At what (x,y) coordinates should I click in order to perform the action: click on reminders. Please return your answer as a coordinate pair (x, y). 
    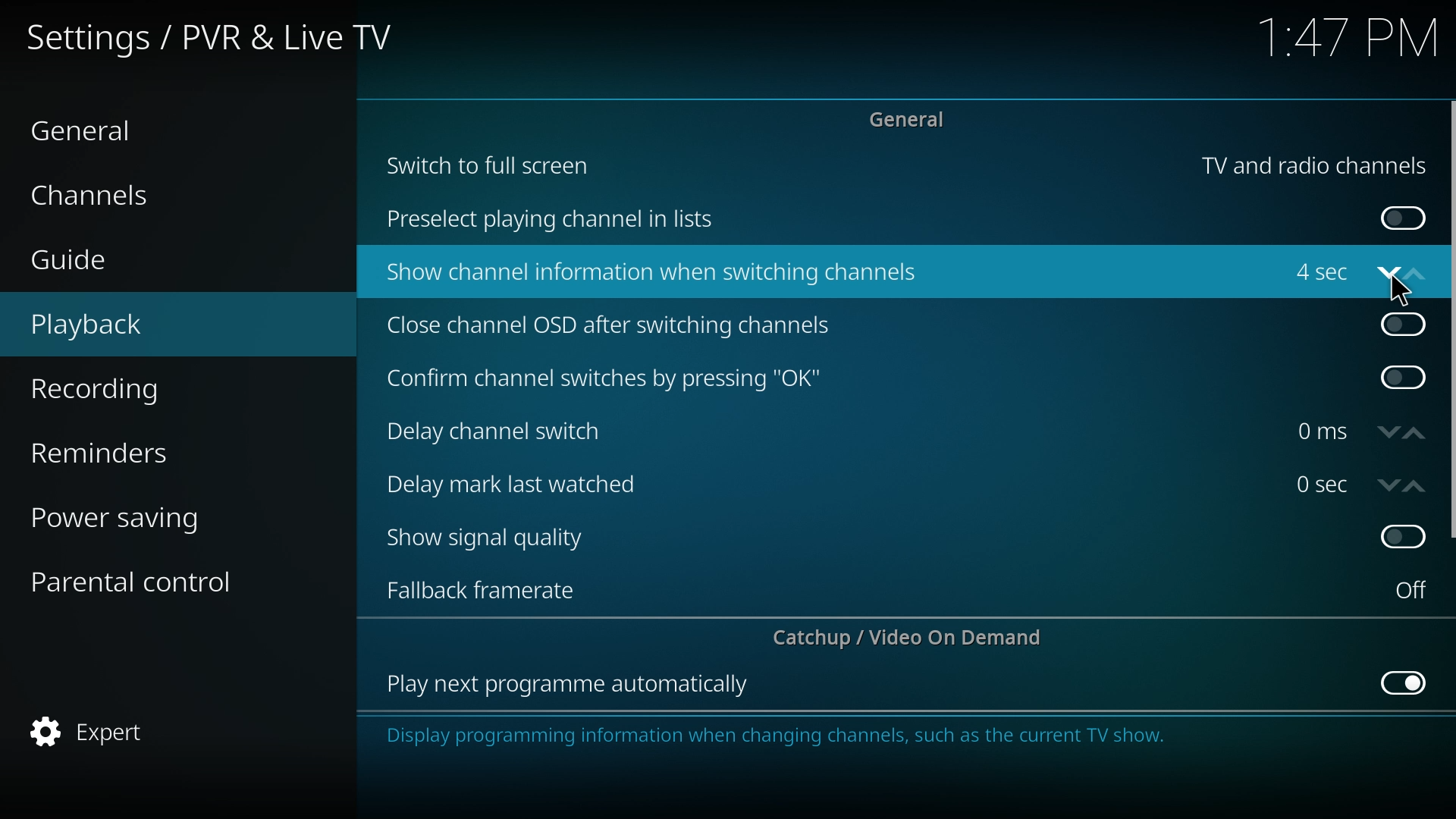
    Looking at the image, I should click on (136, 450).